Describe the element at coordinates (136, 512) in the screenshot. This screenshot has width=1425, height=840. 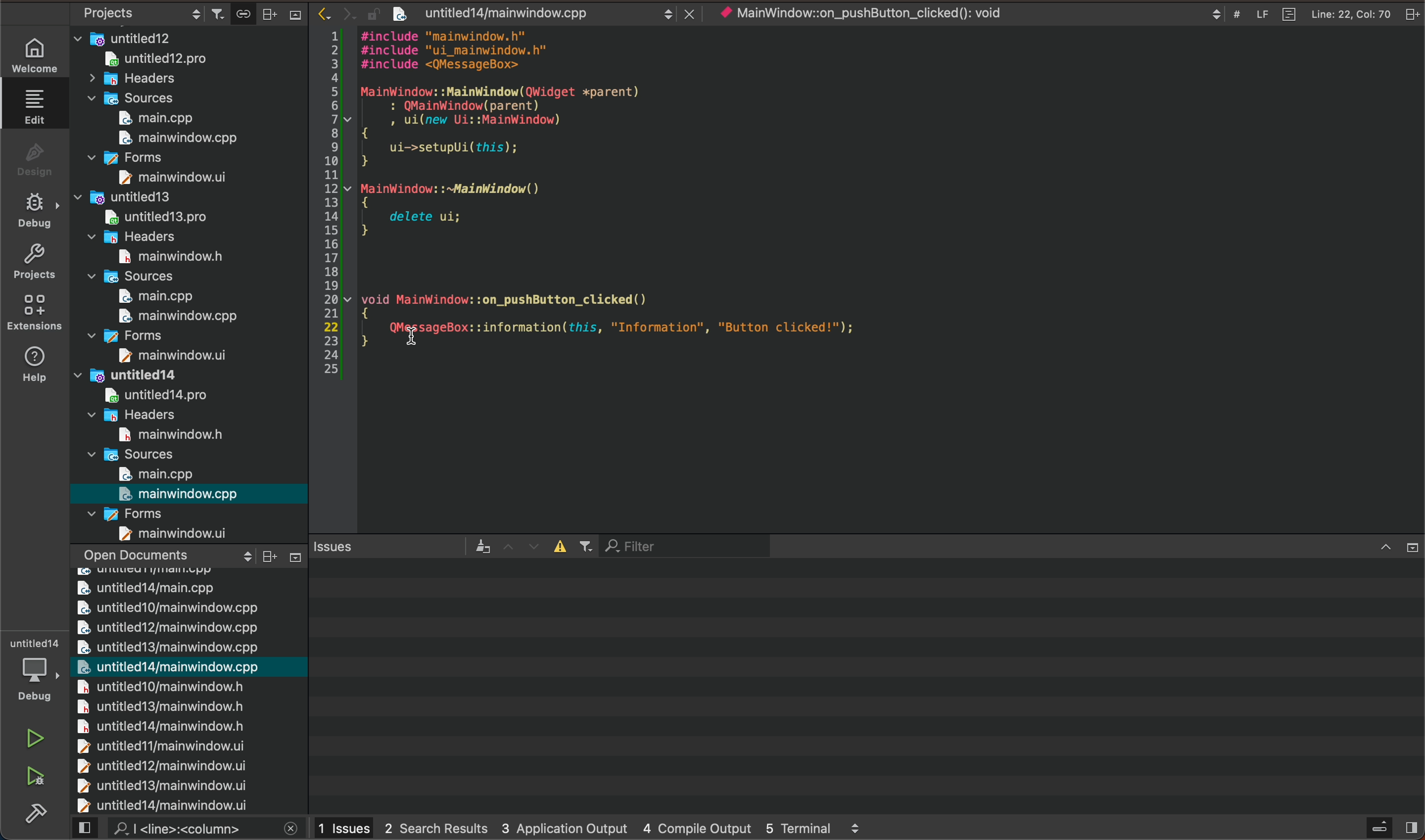
I see `forms` at that location.